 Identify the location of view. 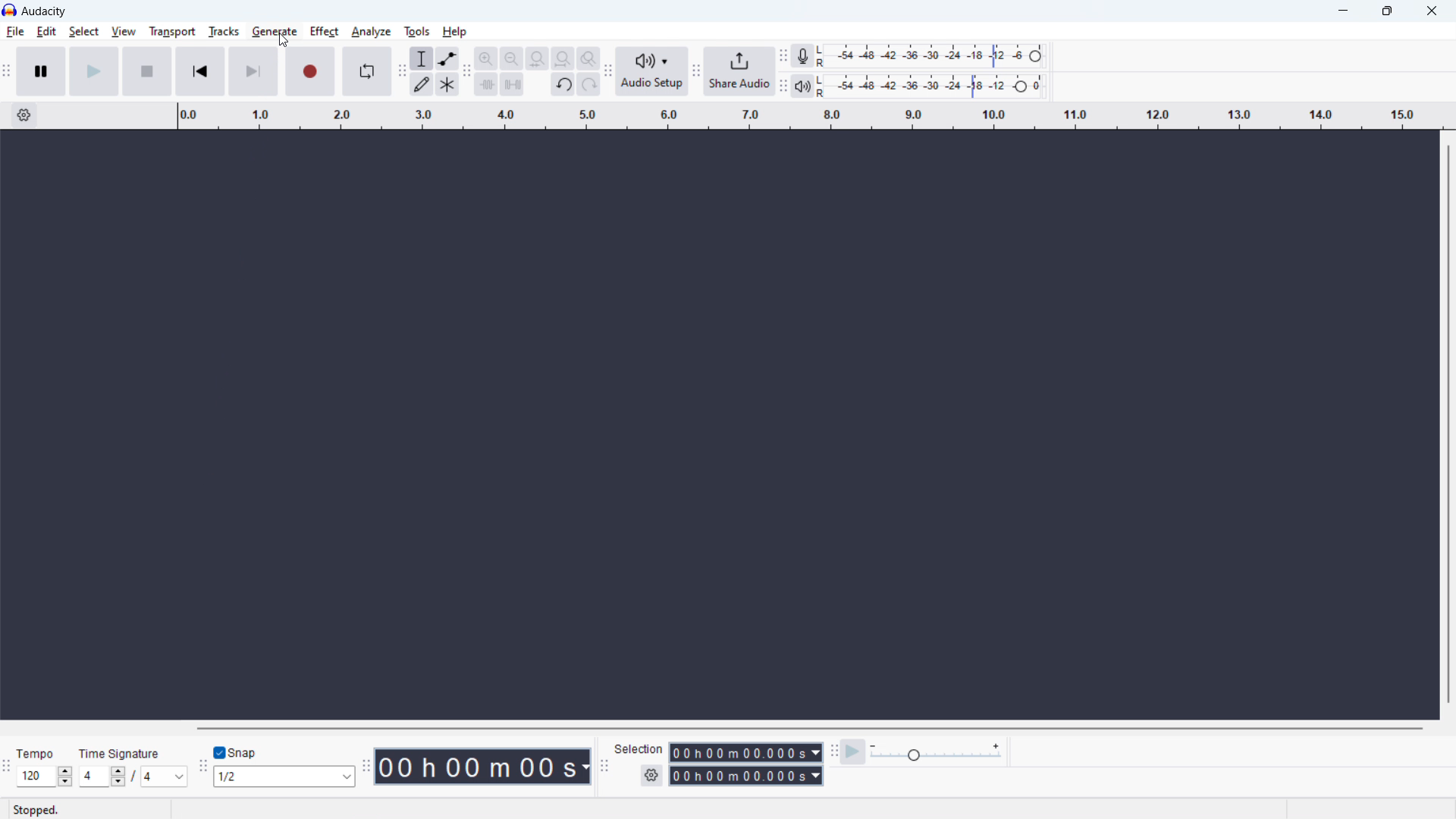
(124, 31).